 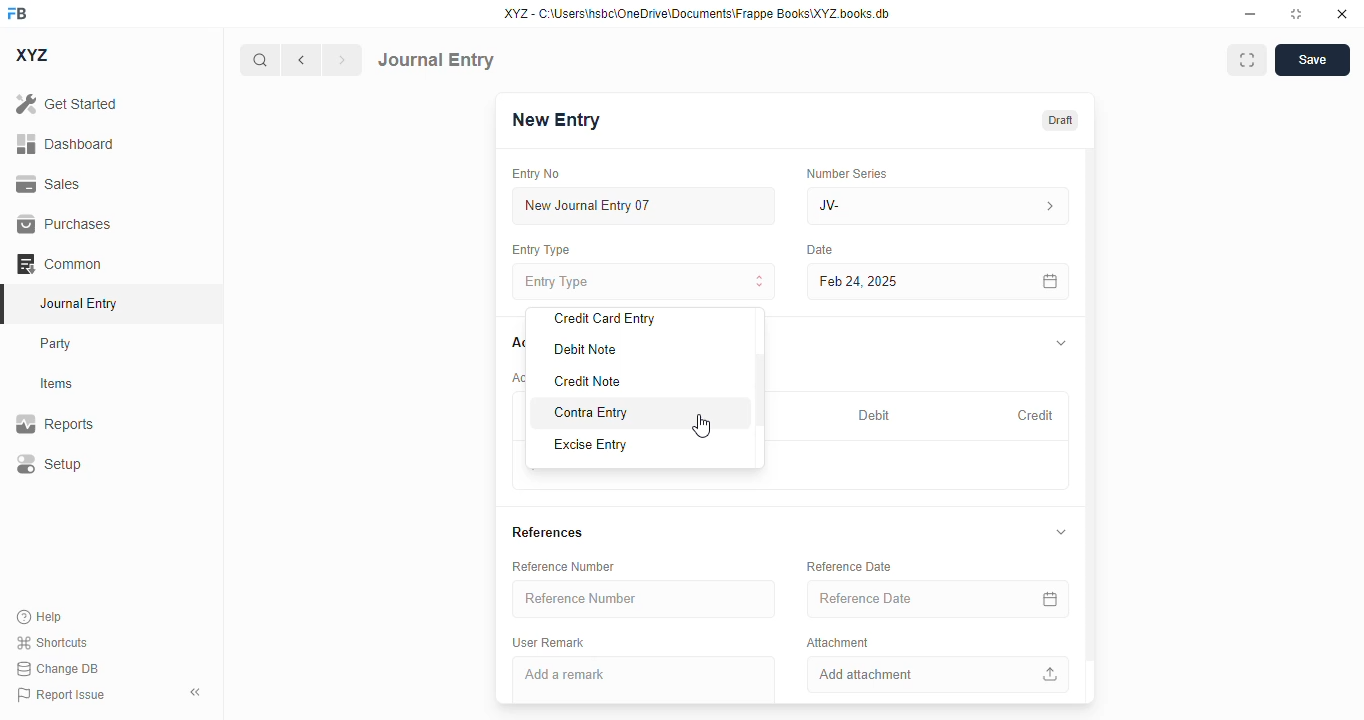 What do you see at coordinates (66, 224) in the screenshot?
I see `purchases` at bounding box center [66, 224].